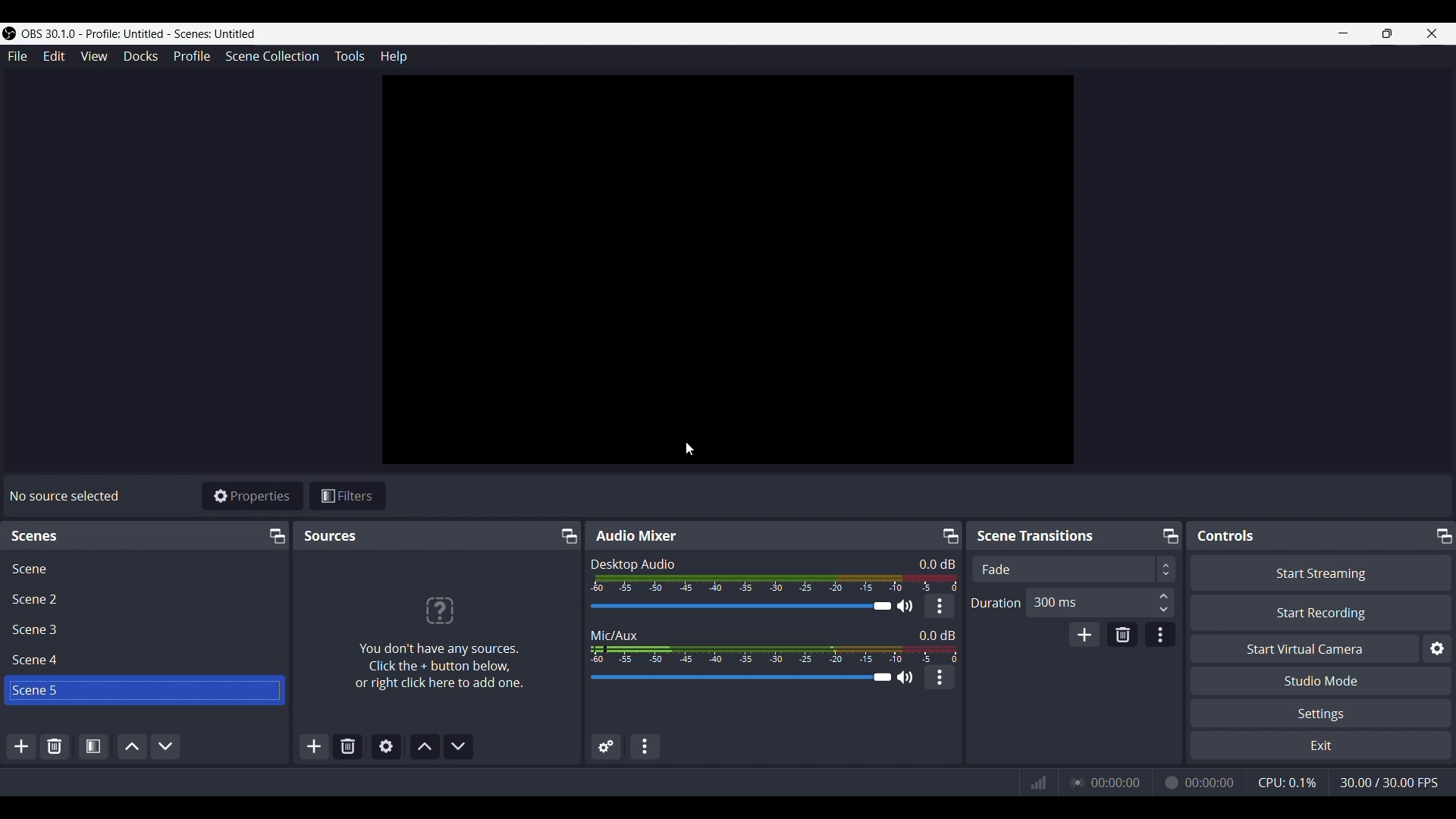  What do you see at coordinates (385, 747) in the screenshot?
I see `Open Source Properties` at bounding box center [385, 747].